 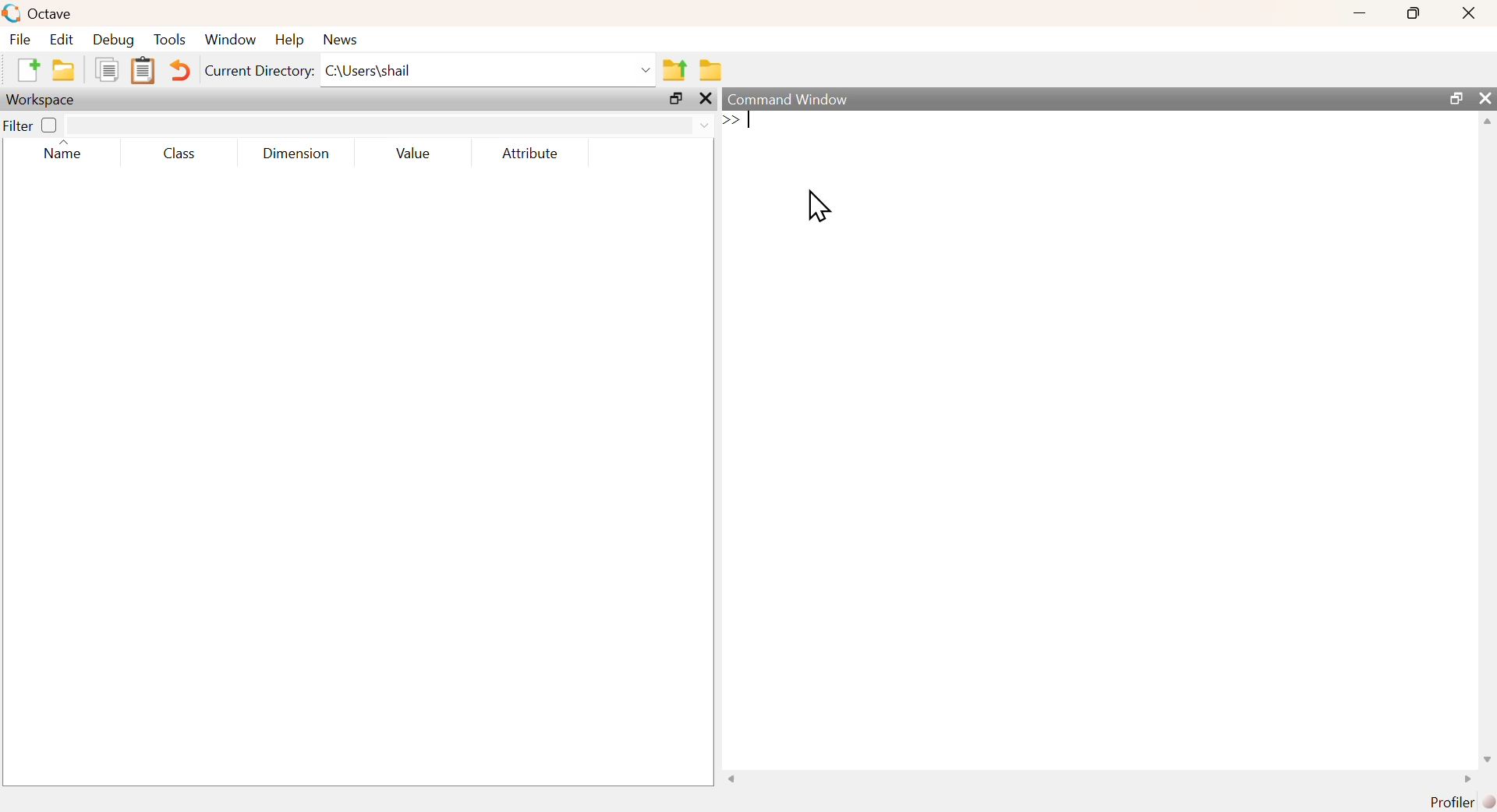 I want to click on cursor, so click(x=819, y=206).